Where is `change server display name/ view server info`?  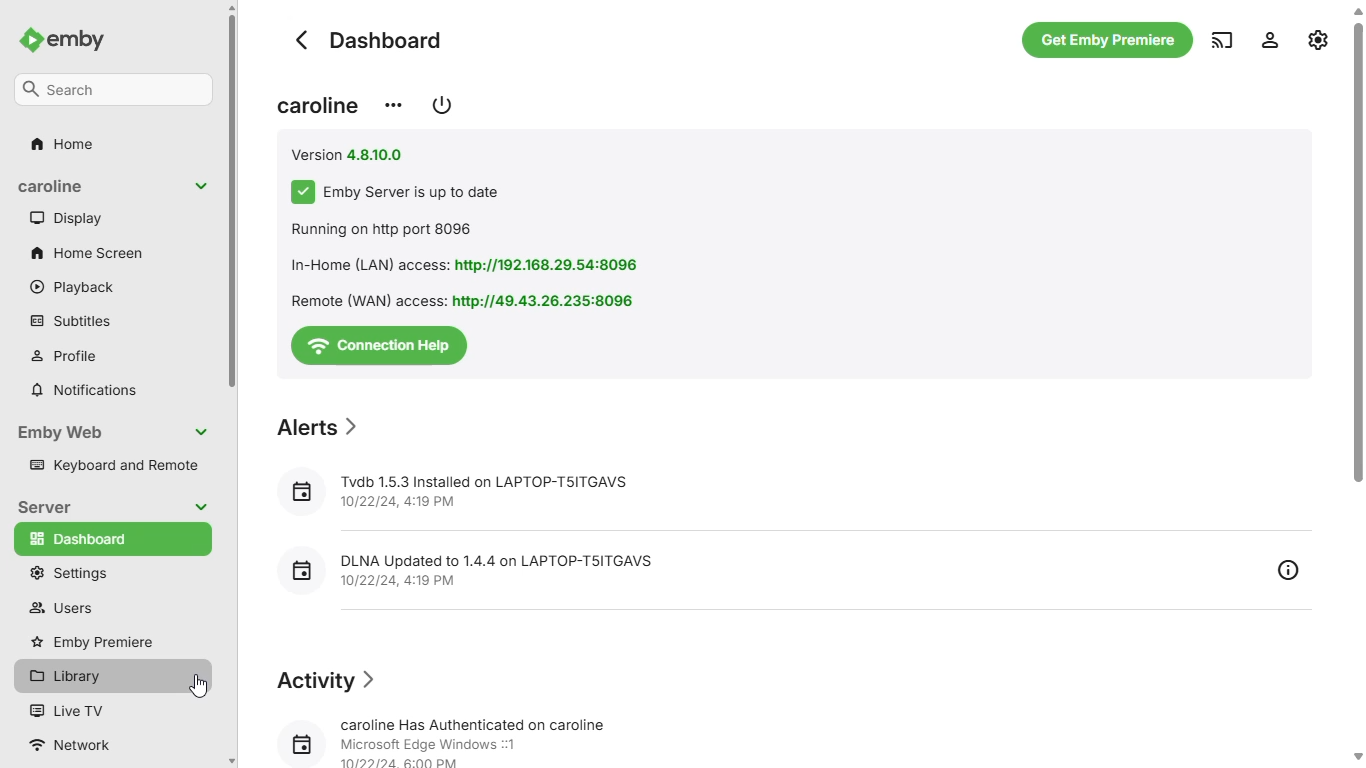 change server display name/ view server info is located at coordinates (393, 104).